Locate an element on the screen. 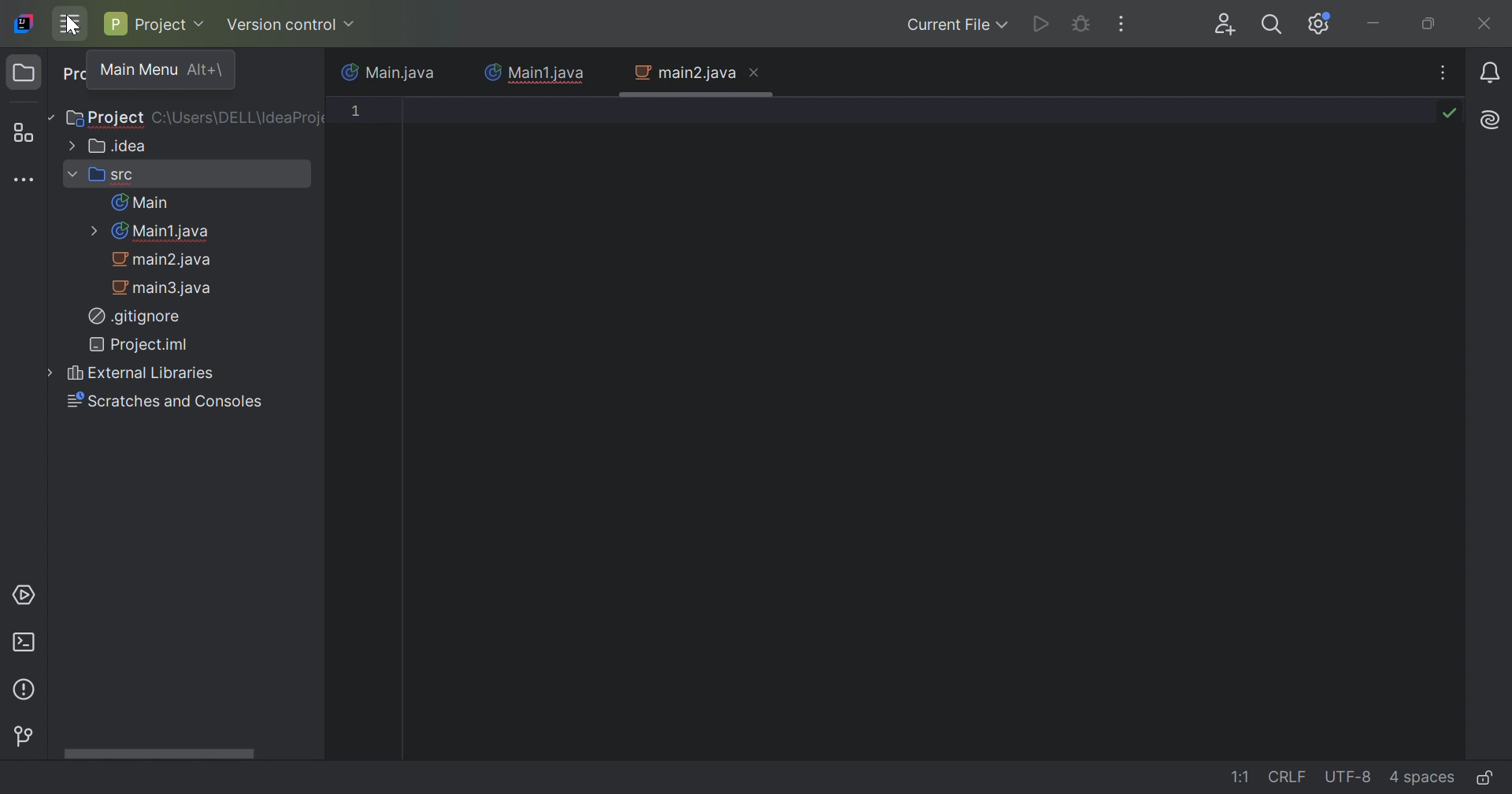 This screenshot has height=794, width=1512. Current File is located at coordinates (957, 26).